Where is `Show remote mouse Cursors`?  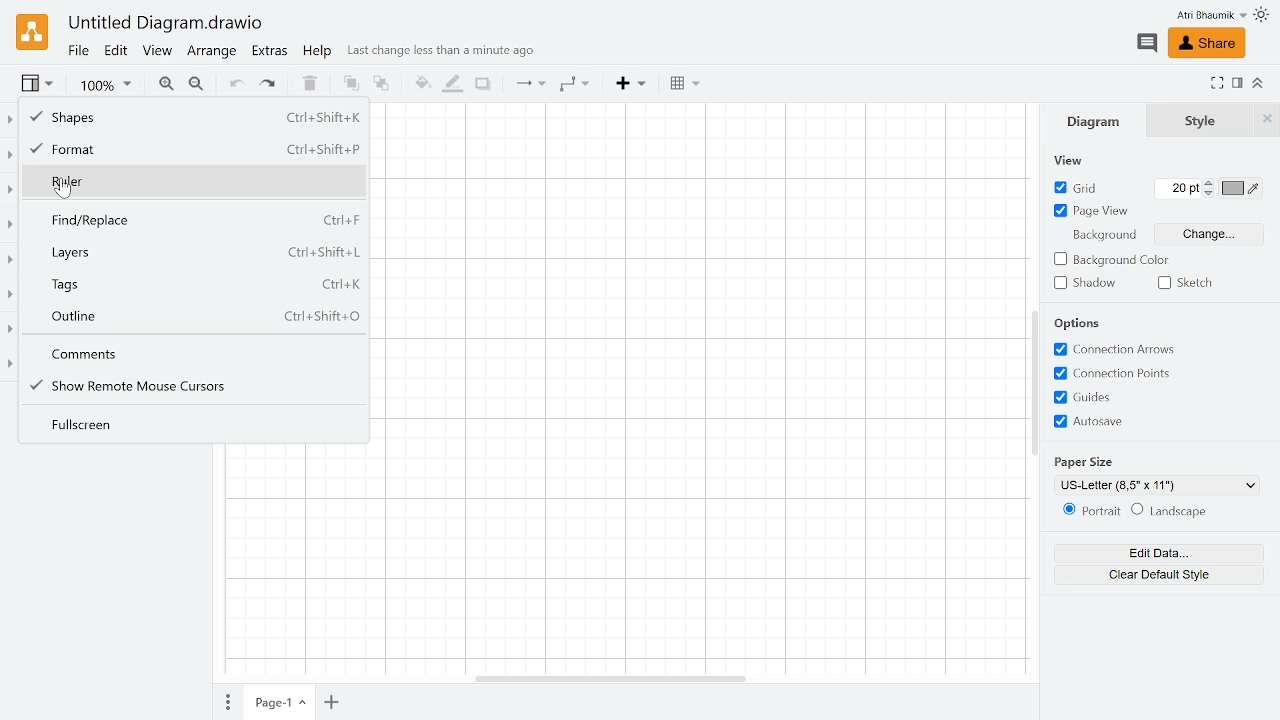 Show remote mouse Cursors is located at coordinates (190, 388).